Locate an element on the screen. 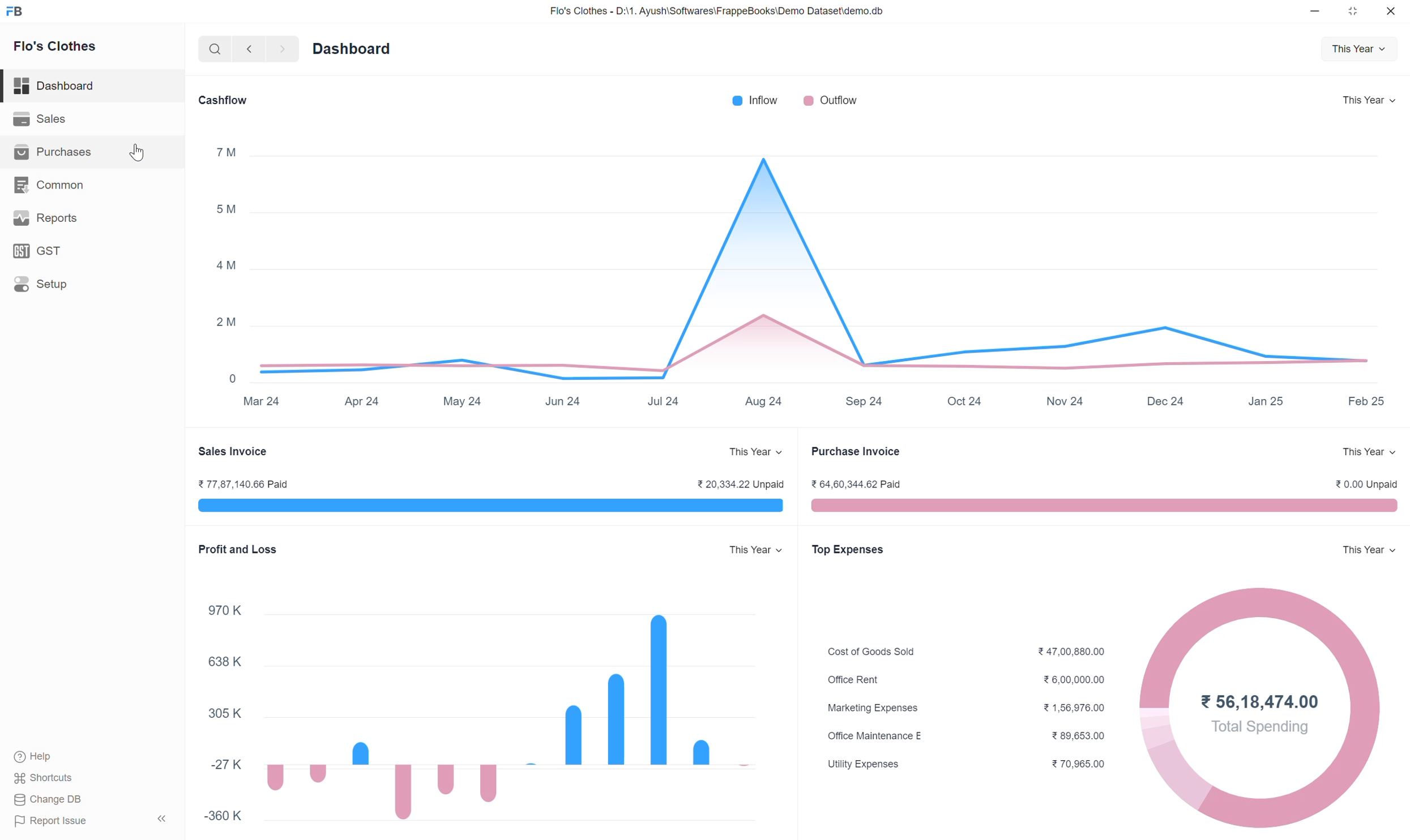 This screenshot has height=840, width=1410. Sep 24 is located at coordinates (864, 402).